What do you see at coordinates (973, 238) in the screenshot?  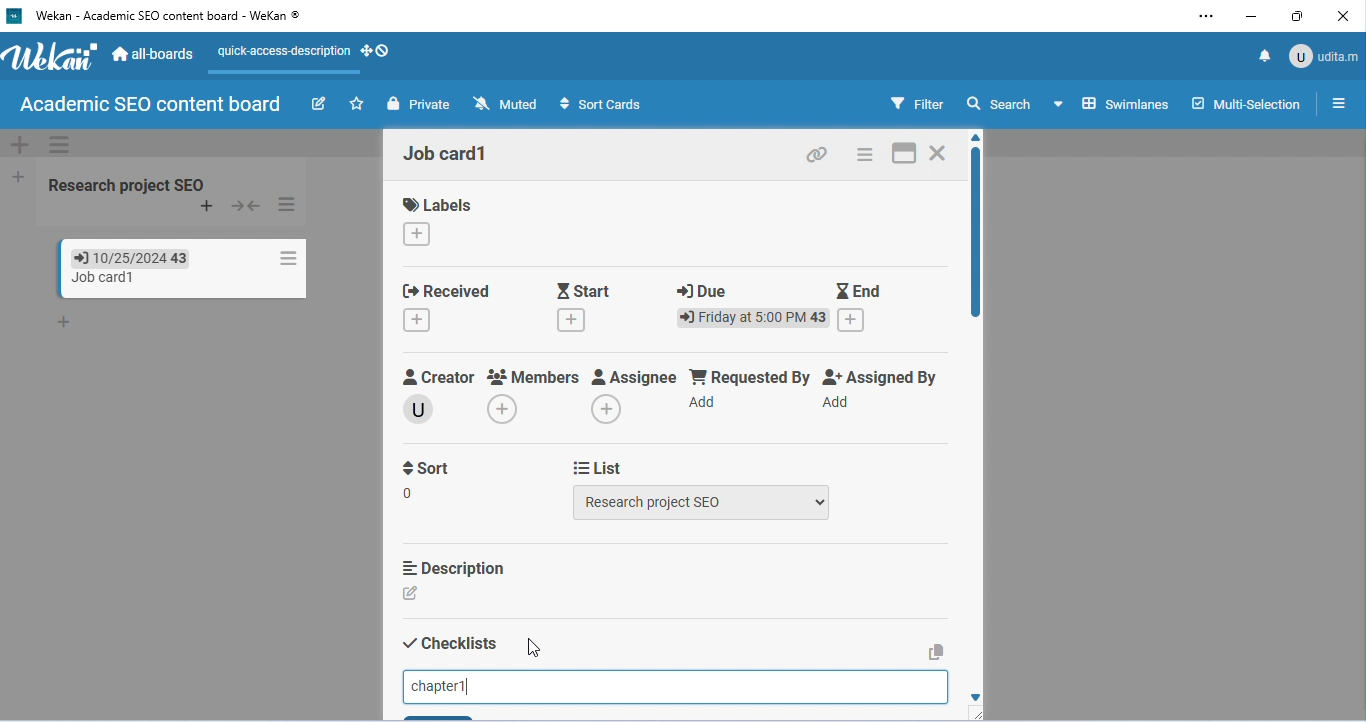 I see `vertical scroll bar` at bounding box center [973, 238].